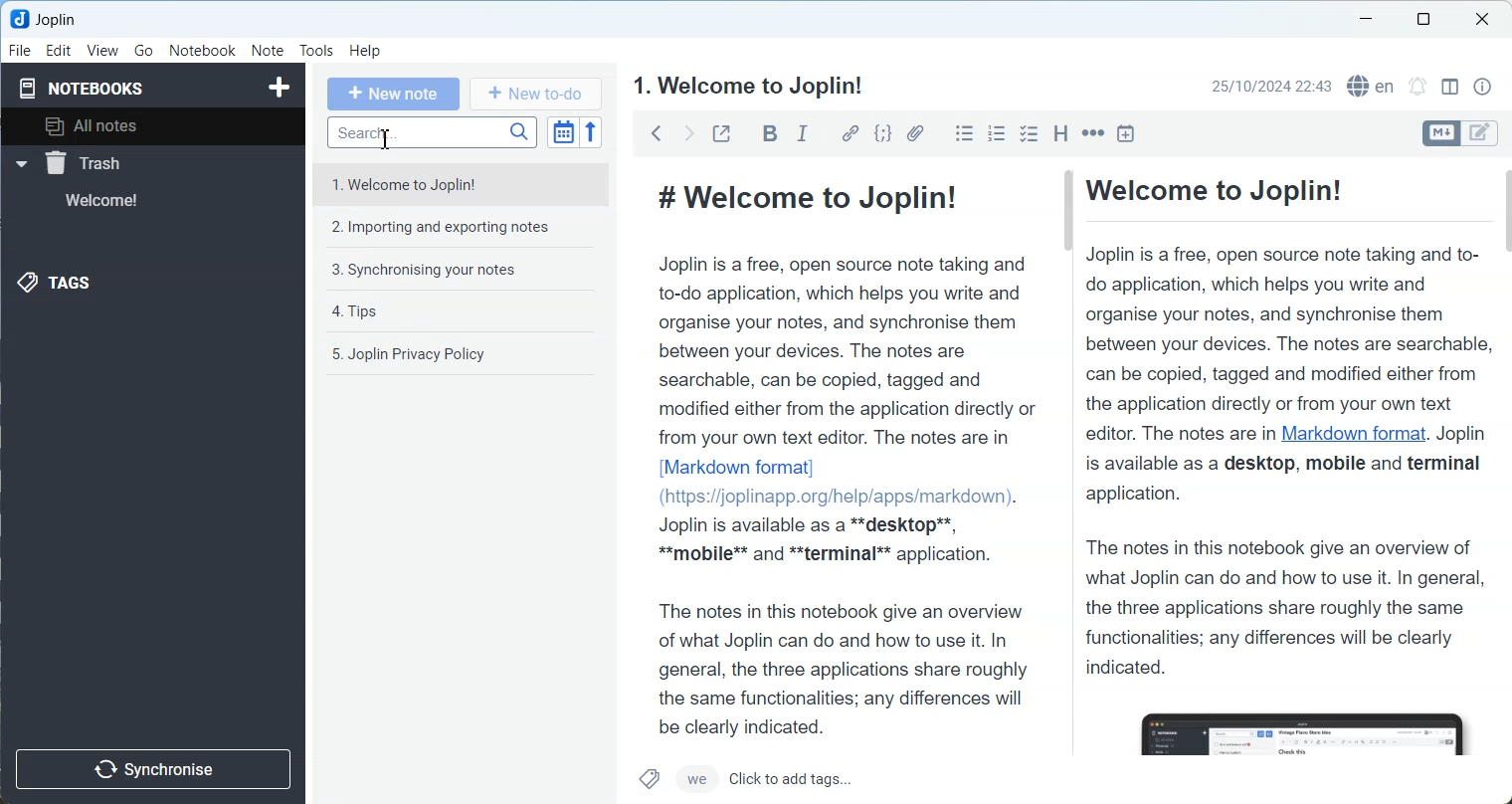  What do you see at coordinates (840, 452) in the screenshot?
I see `# Welcome to Joplin!

Joplin is a free, open source note taking and
to-do application, which helps you write and
organise your notes, and synchronise them
between your devices. The notes are
searchable, can be copied, tagged and
modified either from the application directly or
from your own text editor. The notes are in
[Markdown format]
(https://joplinapp.org/help/apps/markdown).
Joplin is available as a **desktop**,
**mobile** and **terminal** application.
The notes in this notebook give an overview
of what Joplin can do and how to use it. In
general, the three applications share roughly
the same functionalities; any differences will
be clearly indicated.` at bounding box center [840, 452].